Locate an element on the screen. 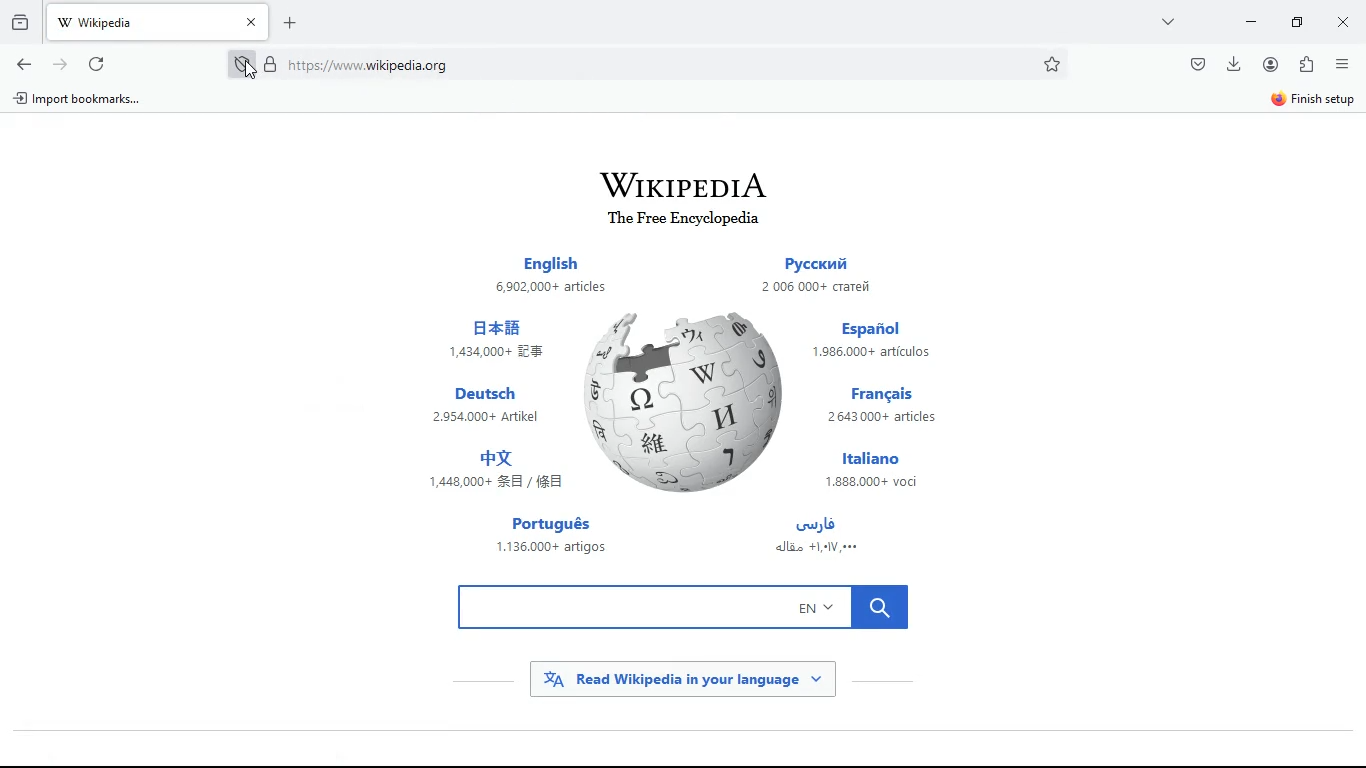 The width and height of the screenshot is (1366, 768). chinese is located at coordinates (496, 342).